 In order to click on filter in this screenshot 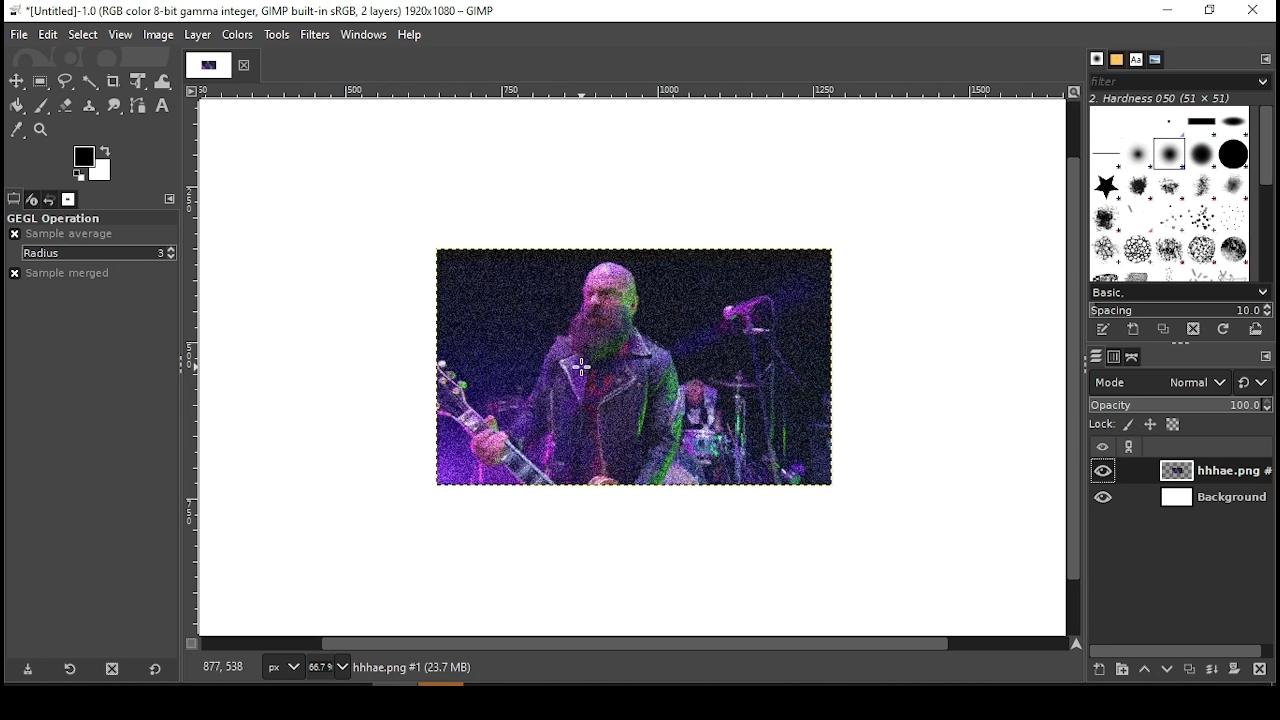, I will do `click(315, 35)`.